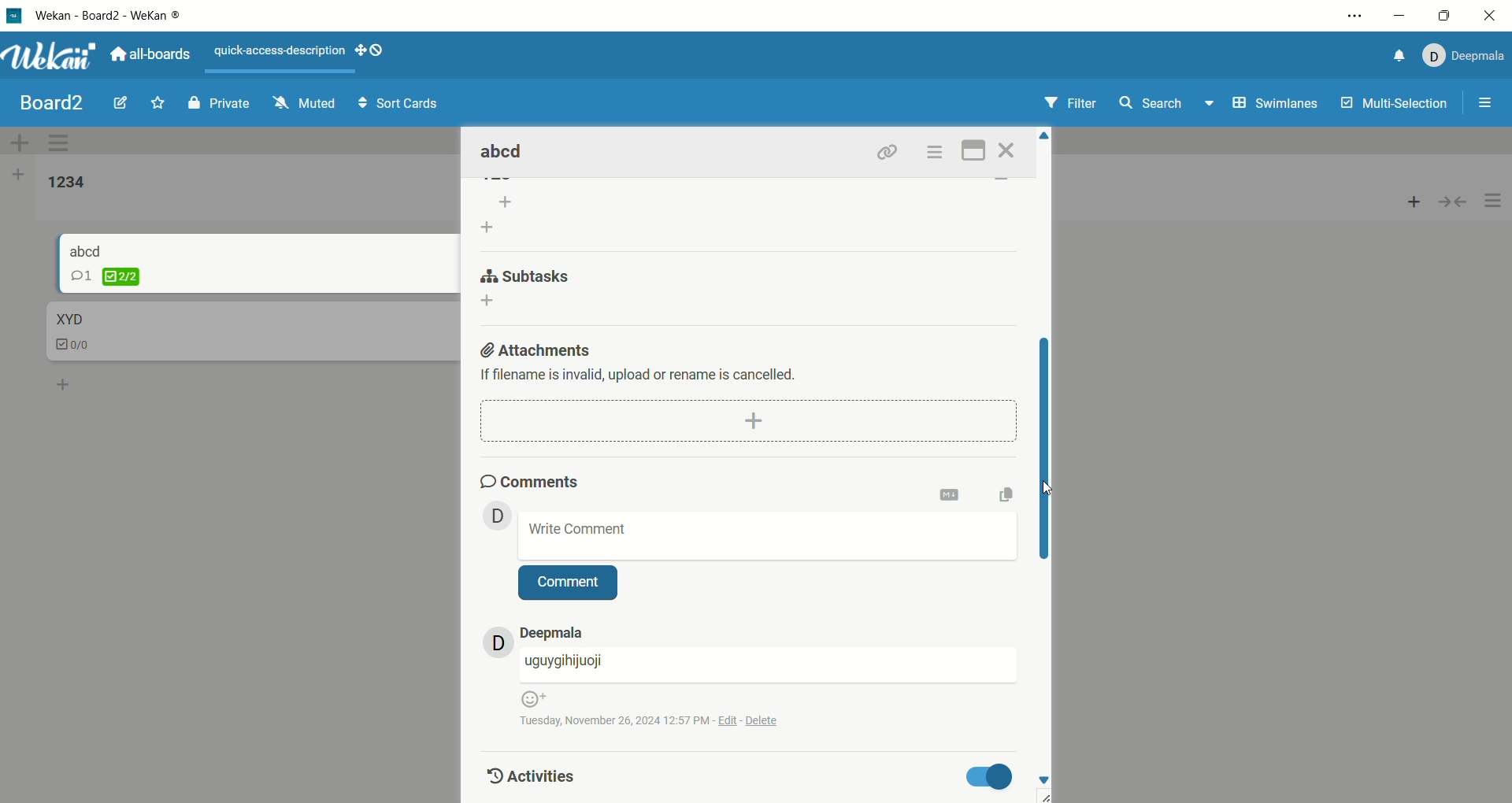 This screenshot has height=803, width=1512. I want to click on text, so click(278, 51).